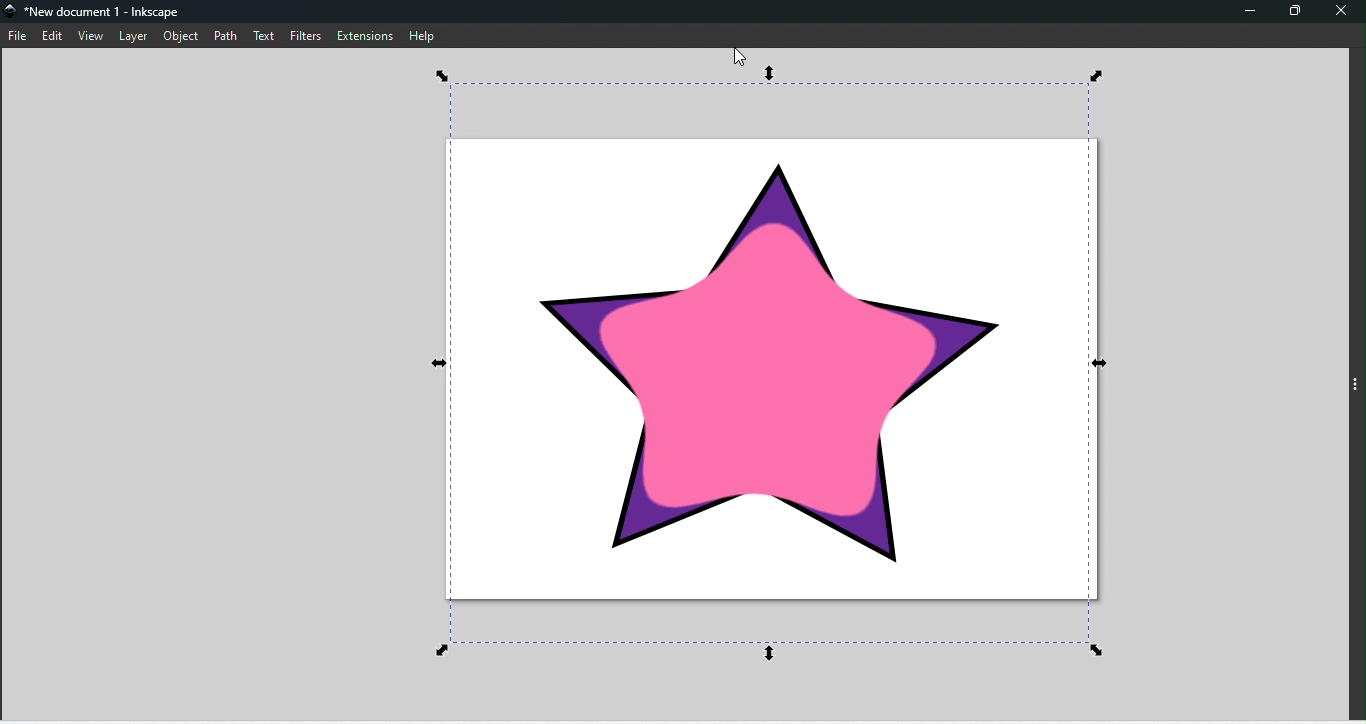 This screenshot has height=724, width=1366. I want to click on Close, so click(1340, 10).